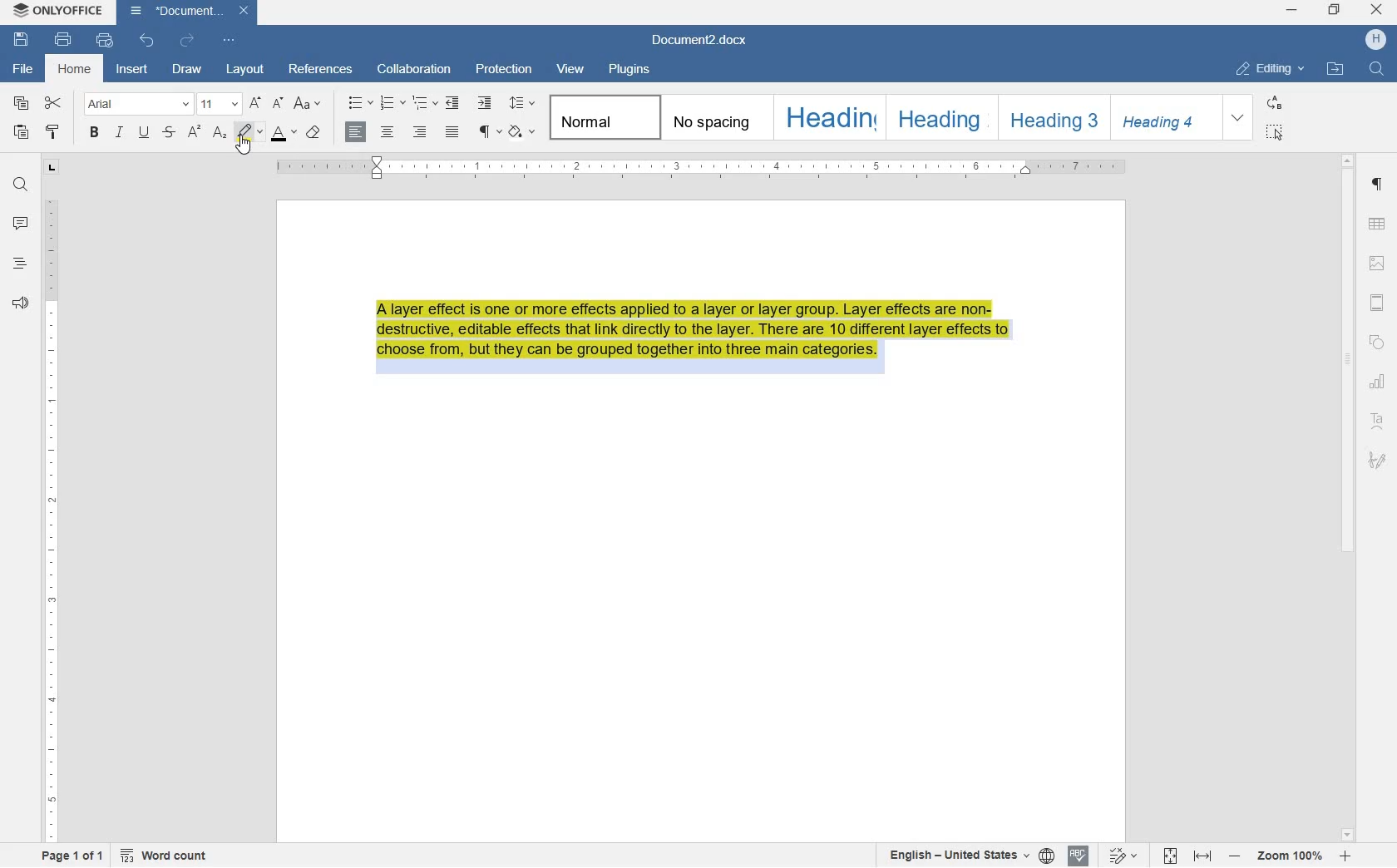  What do you see at coordinates (1378, 343) in the screenshot?
I see `shape` at bounding box center [1378, 343].